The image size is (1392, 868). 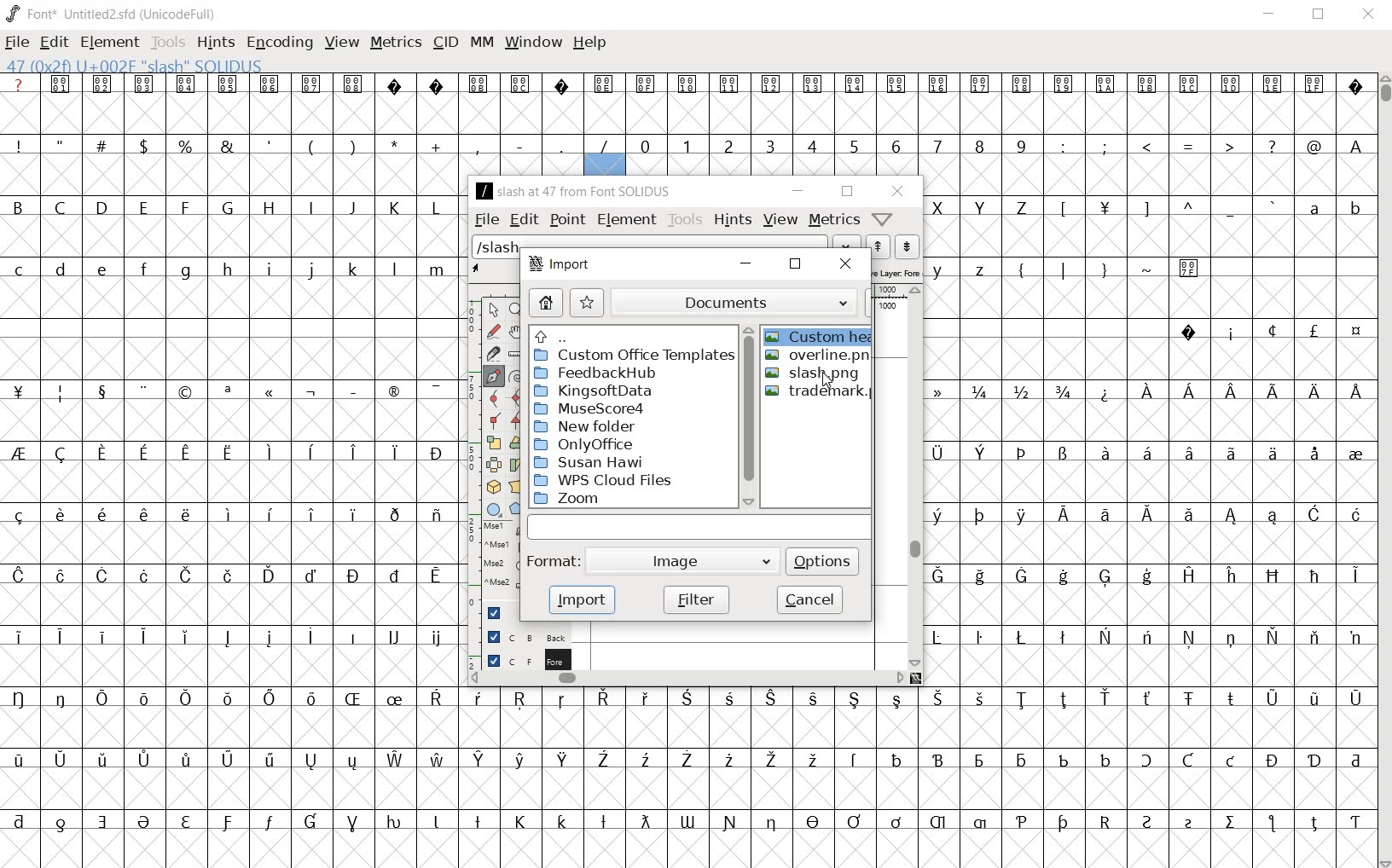 I want to click on , so click(x=685, y=819).